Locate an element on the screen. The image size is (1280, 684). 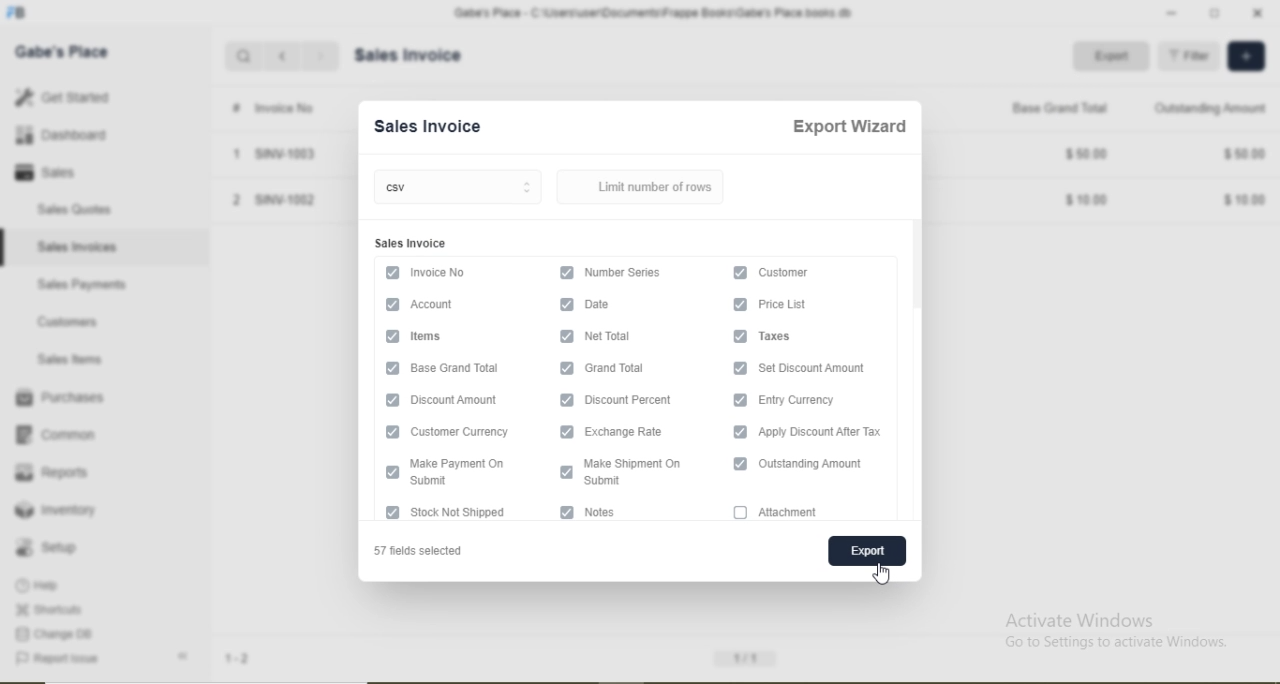
cursor is located at coordinates (885, 576).